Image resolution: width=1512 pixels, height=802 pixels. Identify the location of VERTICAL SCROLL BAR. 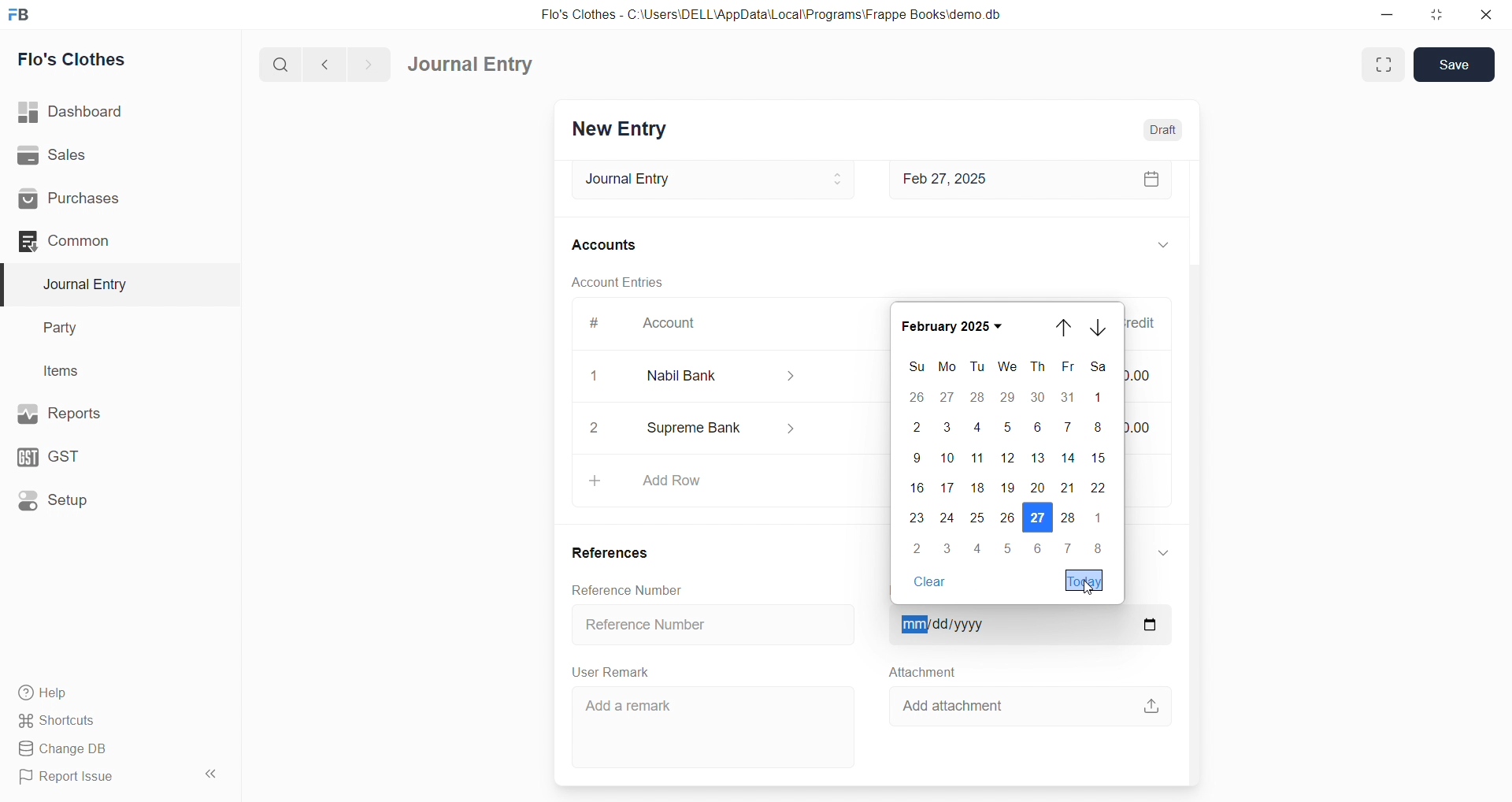
(1192, 472).